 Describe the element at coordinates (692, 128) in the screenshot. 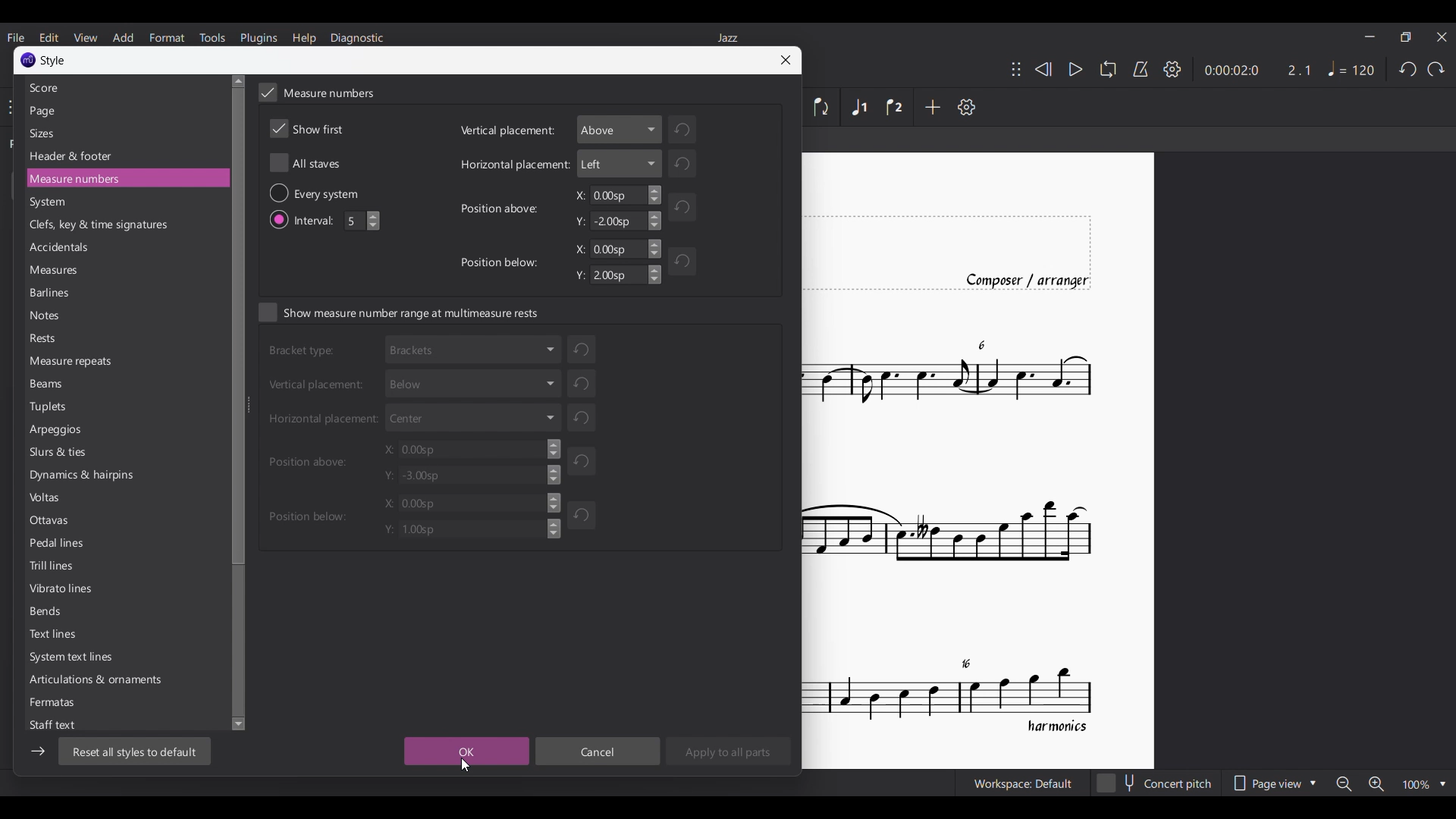

I see `Undo changes made to respective setting` at that location.